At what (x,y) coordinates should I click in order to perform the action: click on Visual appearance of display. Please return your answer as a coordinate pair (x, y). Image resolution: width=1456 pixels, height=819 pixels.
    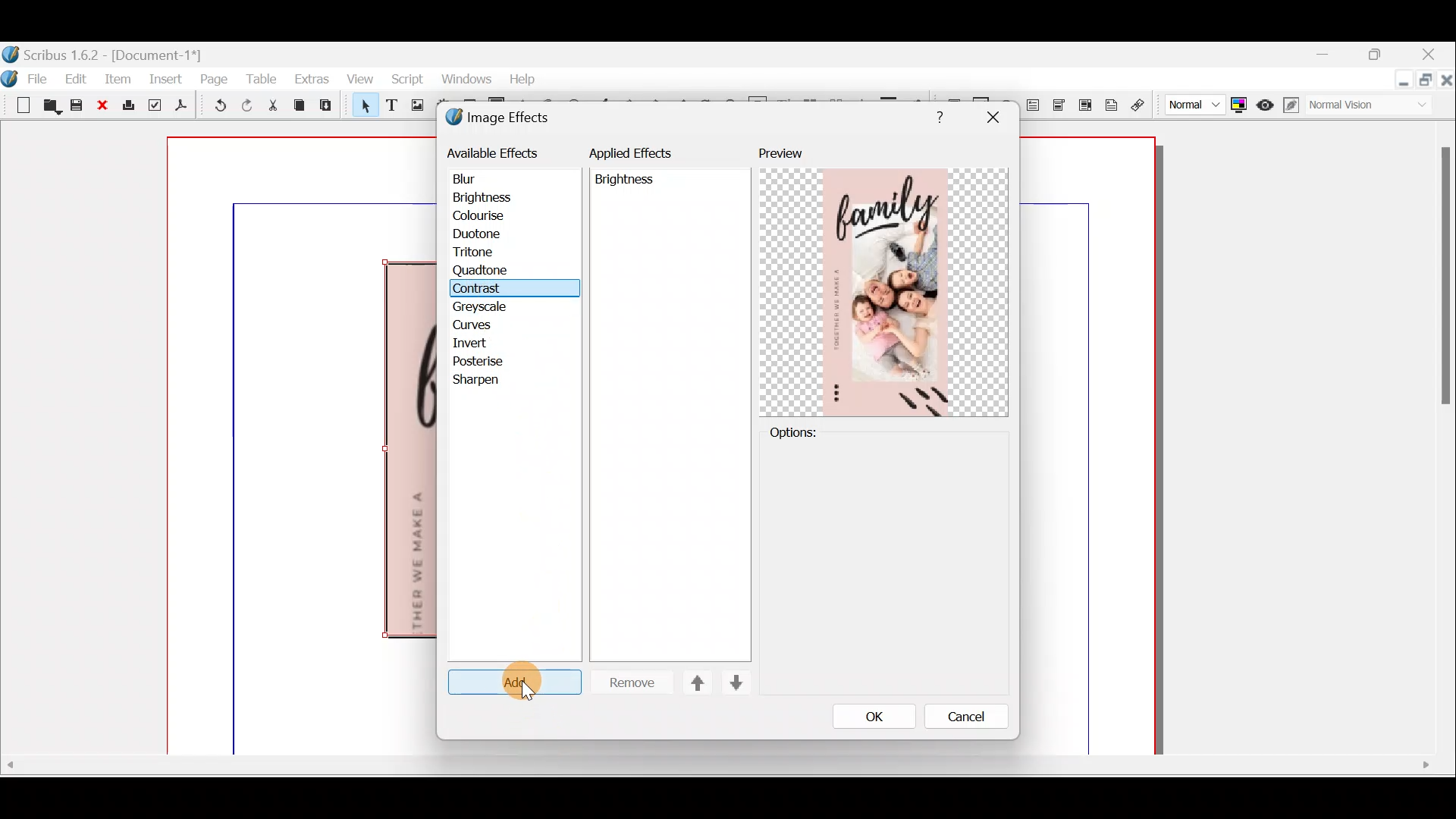
    Looking at the image, I should click on (1376, 106).